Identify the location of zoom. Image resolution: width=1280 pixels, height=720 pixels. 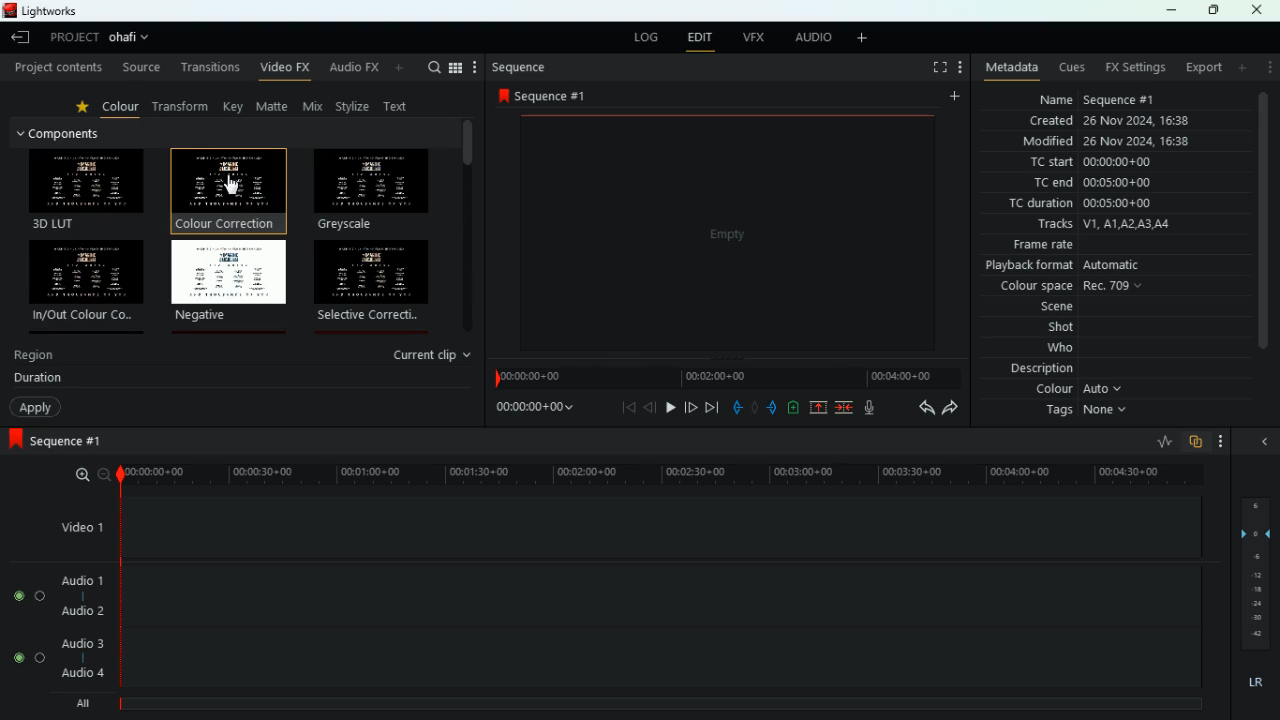
(78, 475).